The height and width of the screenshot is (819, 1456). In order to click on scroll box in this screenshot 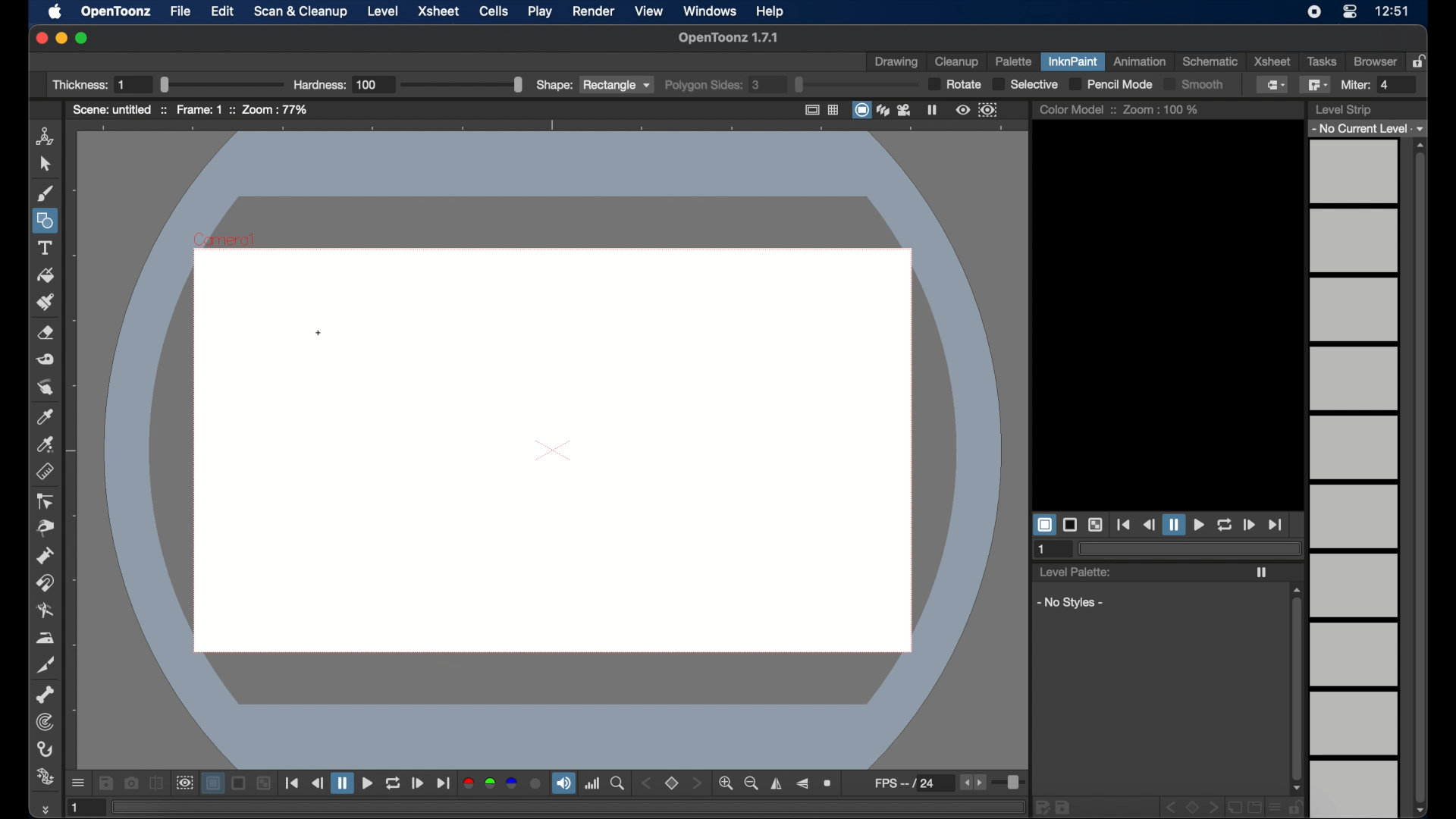, I will do `click(1296, 689)`.